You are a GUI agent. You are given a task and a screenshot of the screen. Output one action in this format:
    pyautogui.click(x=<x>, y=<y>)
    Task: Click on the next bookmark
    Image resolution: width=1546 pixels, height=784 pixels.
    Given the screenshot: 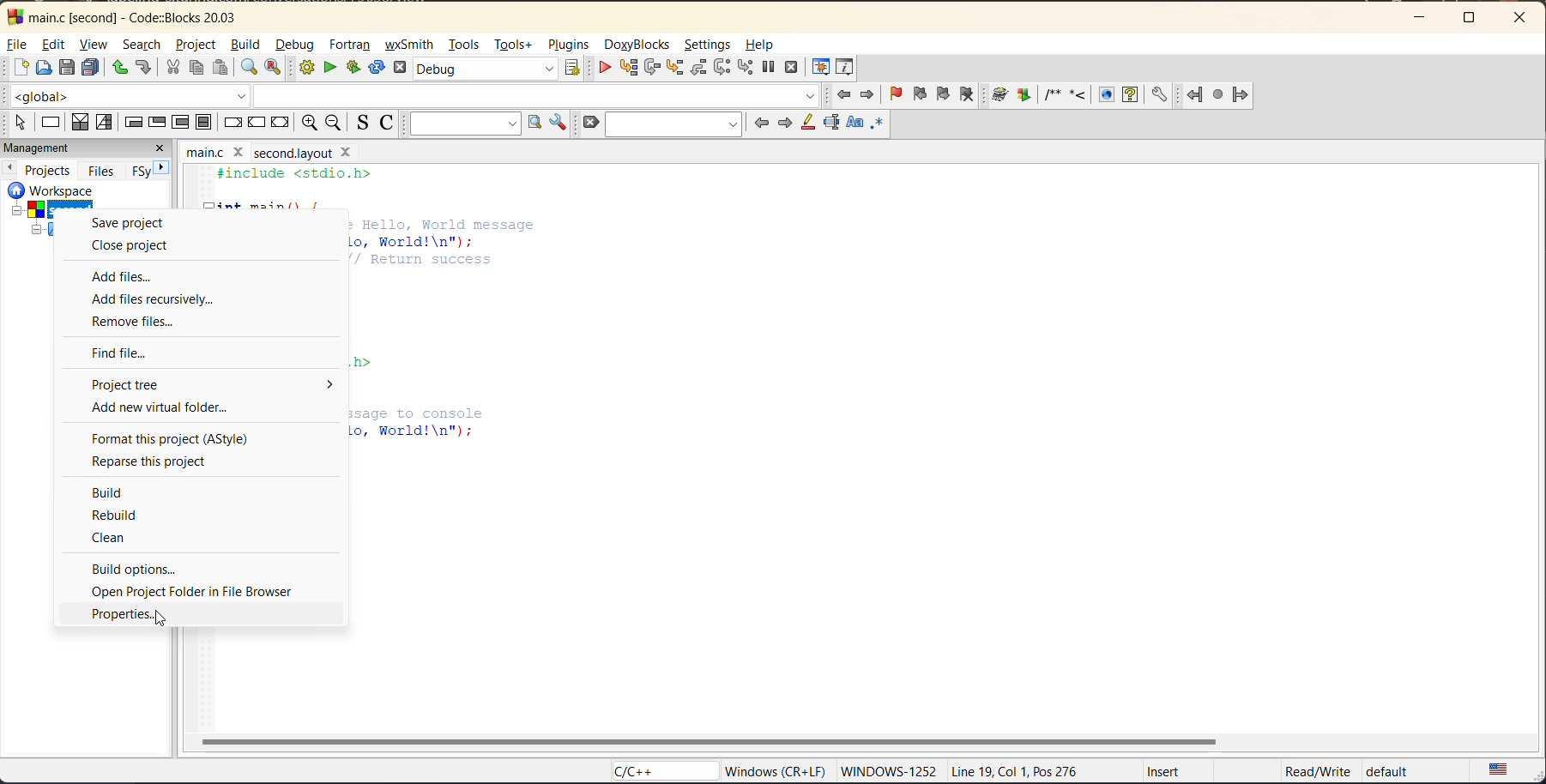 What is the action you would take?
    pyautogui.click(x=940, y=93)
    